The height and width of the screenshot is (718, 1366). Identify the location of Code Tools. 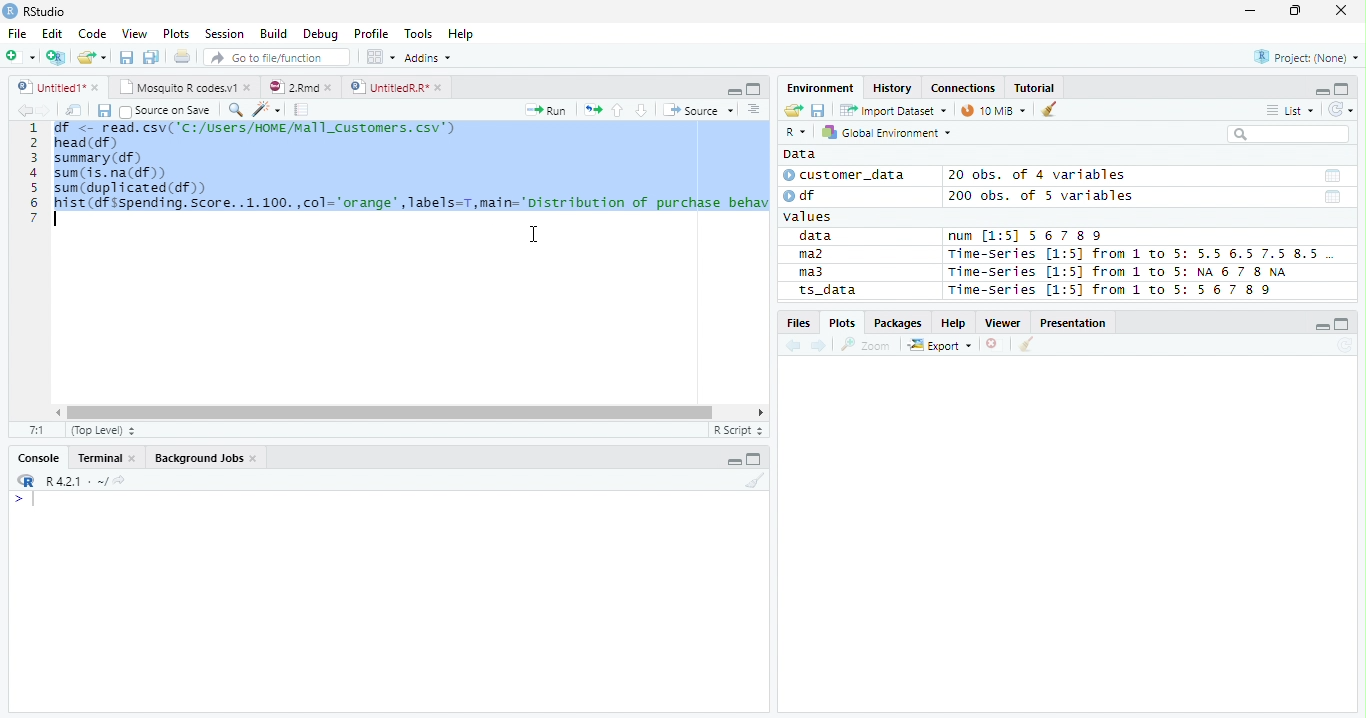
(266, 110).